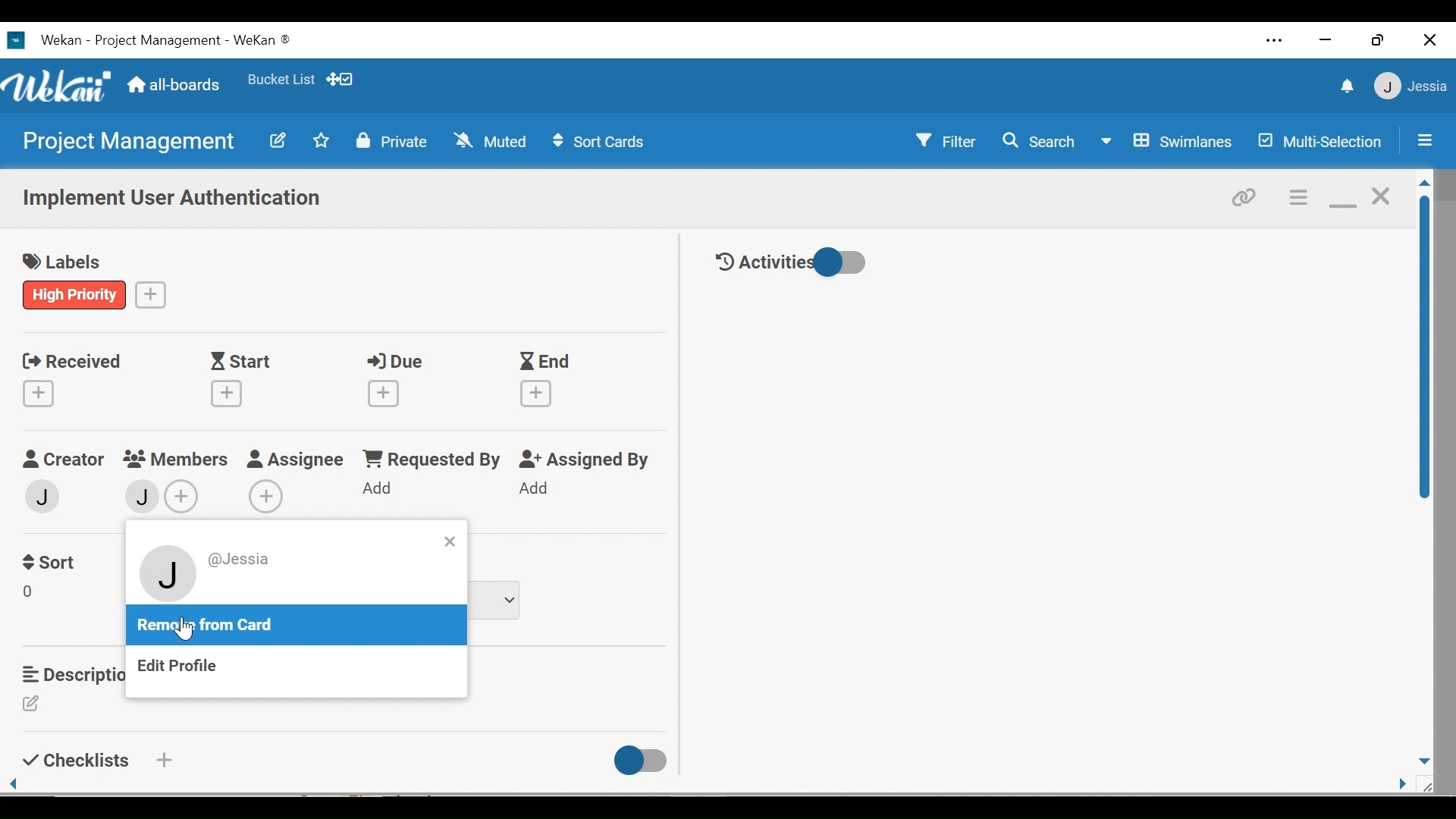 The height and width of the screenshot is (819, 1456). I want to click on move right, so click(1403, 785).